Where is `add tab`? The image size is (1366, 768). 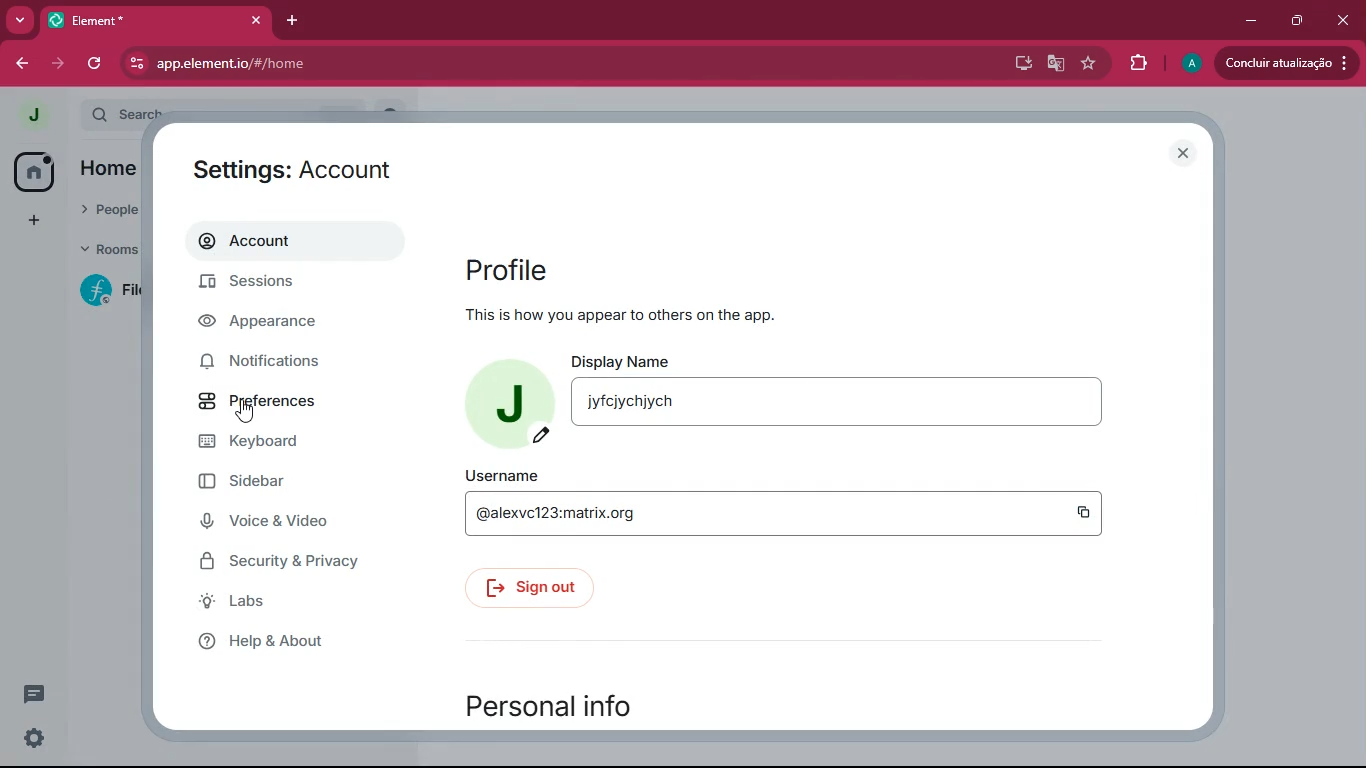 add tab is located at coordinates (287, 21).